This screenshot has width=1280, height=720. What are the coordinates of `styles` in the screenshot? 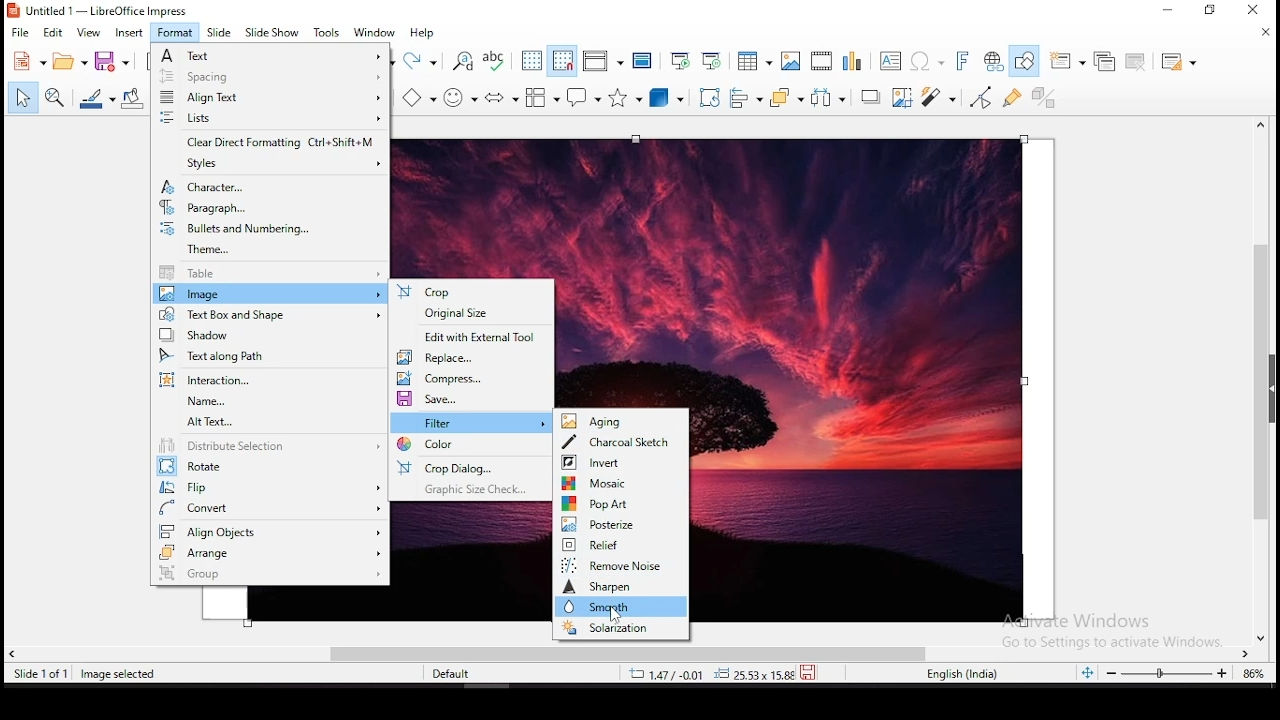 It's located at (272, 164).